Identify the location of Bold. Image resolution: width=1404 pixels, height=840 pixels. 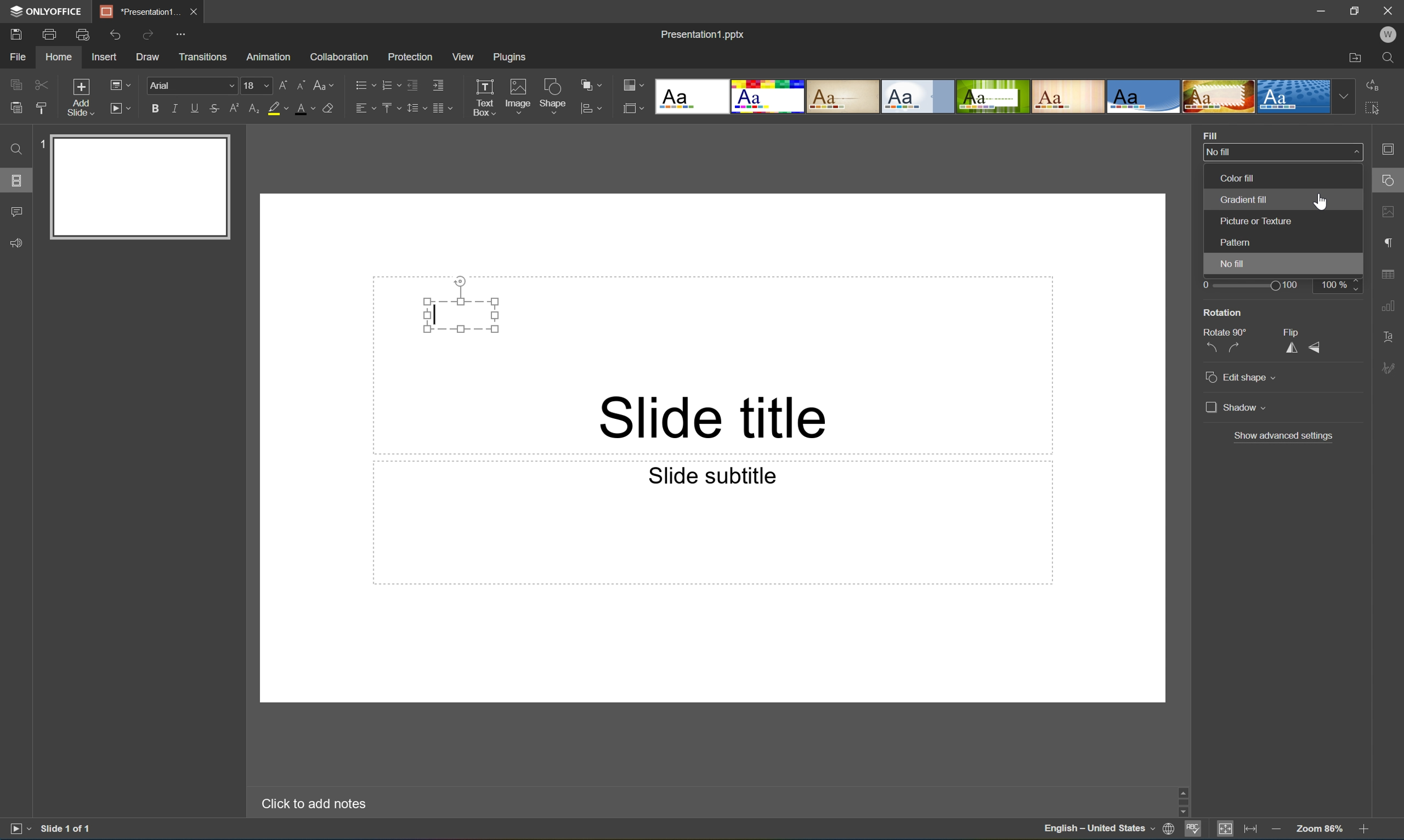
(156, 106).